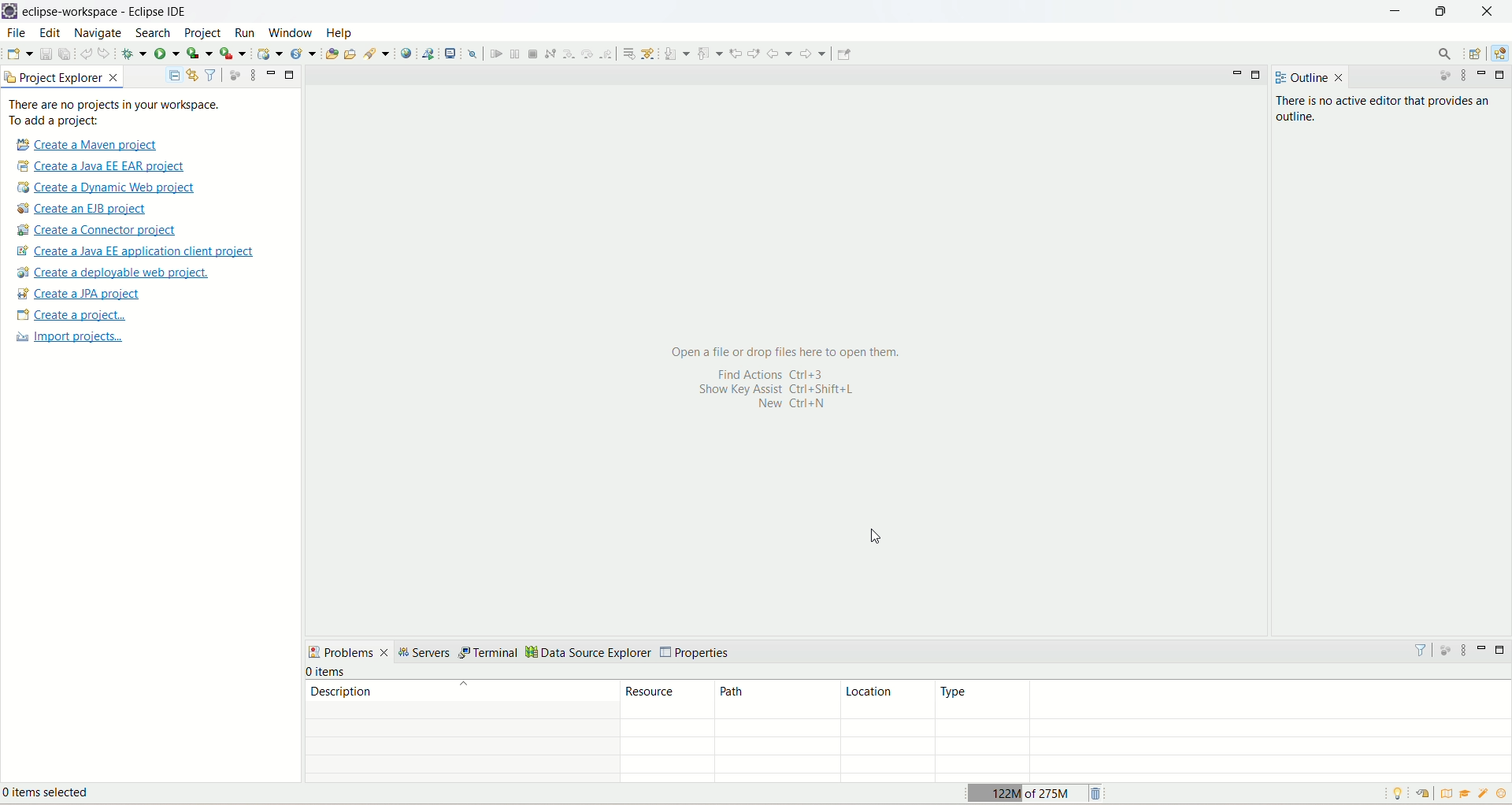 The image size is (1512, 805). Describe the element at coordinates (174, 76) in the screenshot. I see `collapse all` at that location.